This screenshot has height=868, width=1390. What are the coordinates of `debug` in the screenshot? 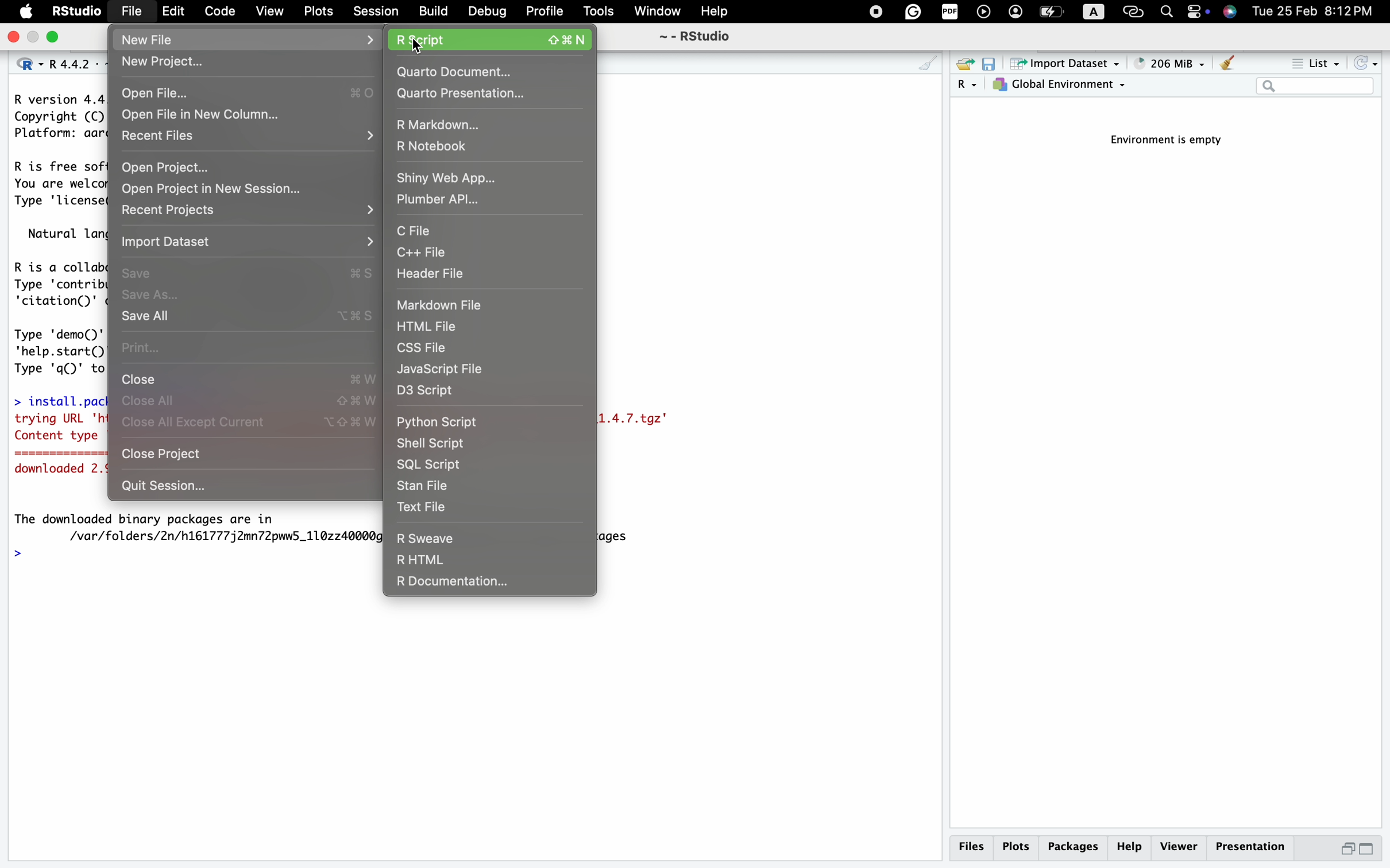 It's located at (486, 11).